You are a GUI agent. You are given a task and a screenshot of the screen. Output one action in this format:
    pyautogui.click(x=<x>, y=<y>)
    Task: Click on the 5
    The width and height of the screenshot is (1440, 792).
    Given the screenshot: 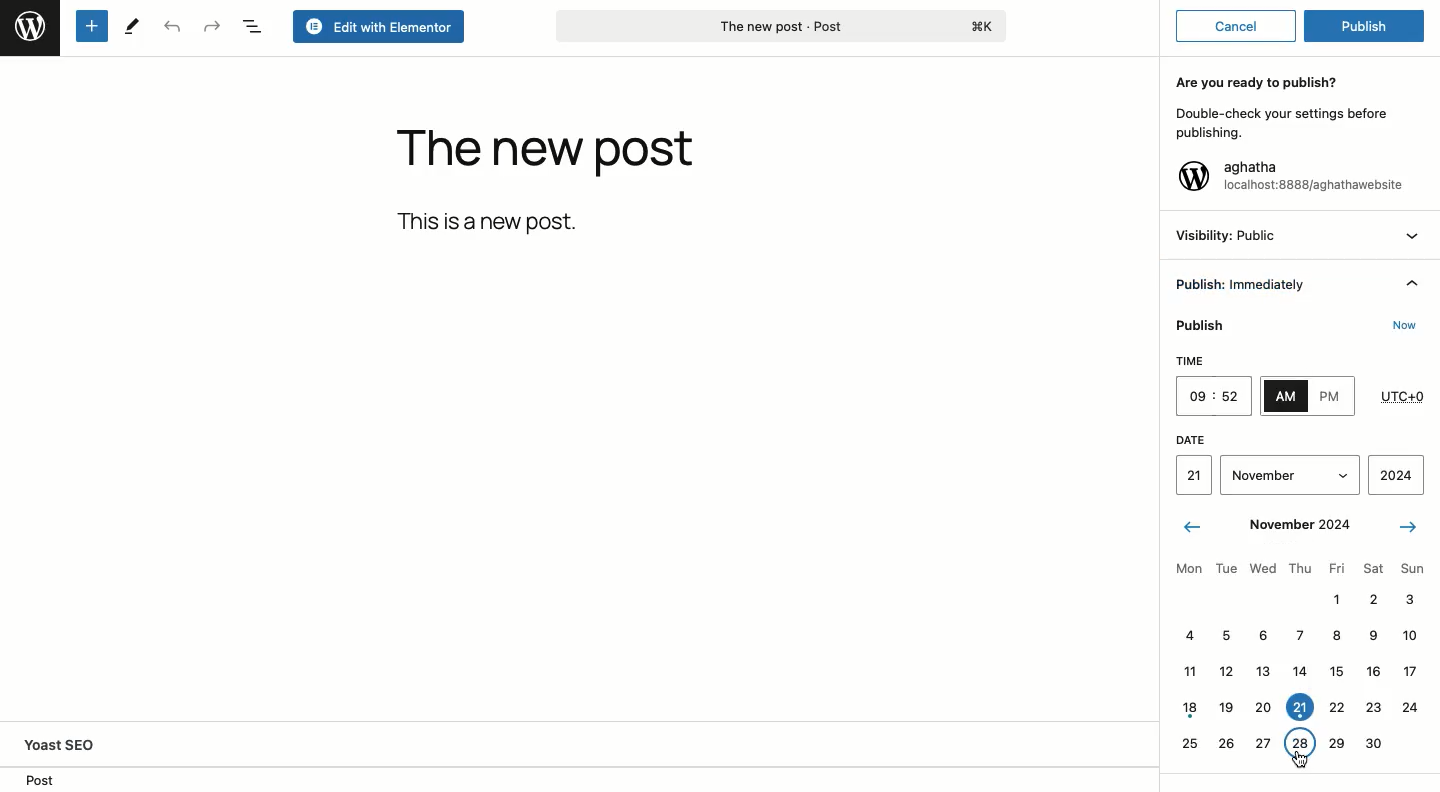 What is the action you would take?
    pyautogui.click(x=1225, y=635)
    